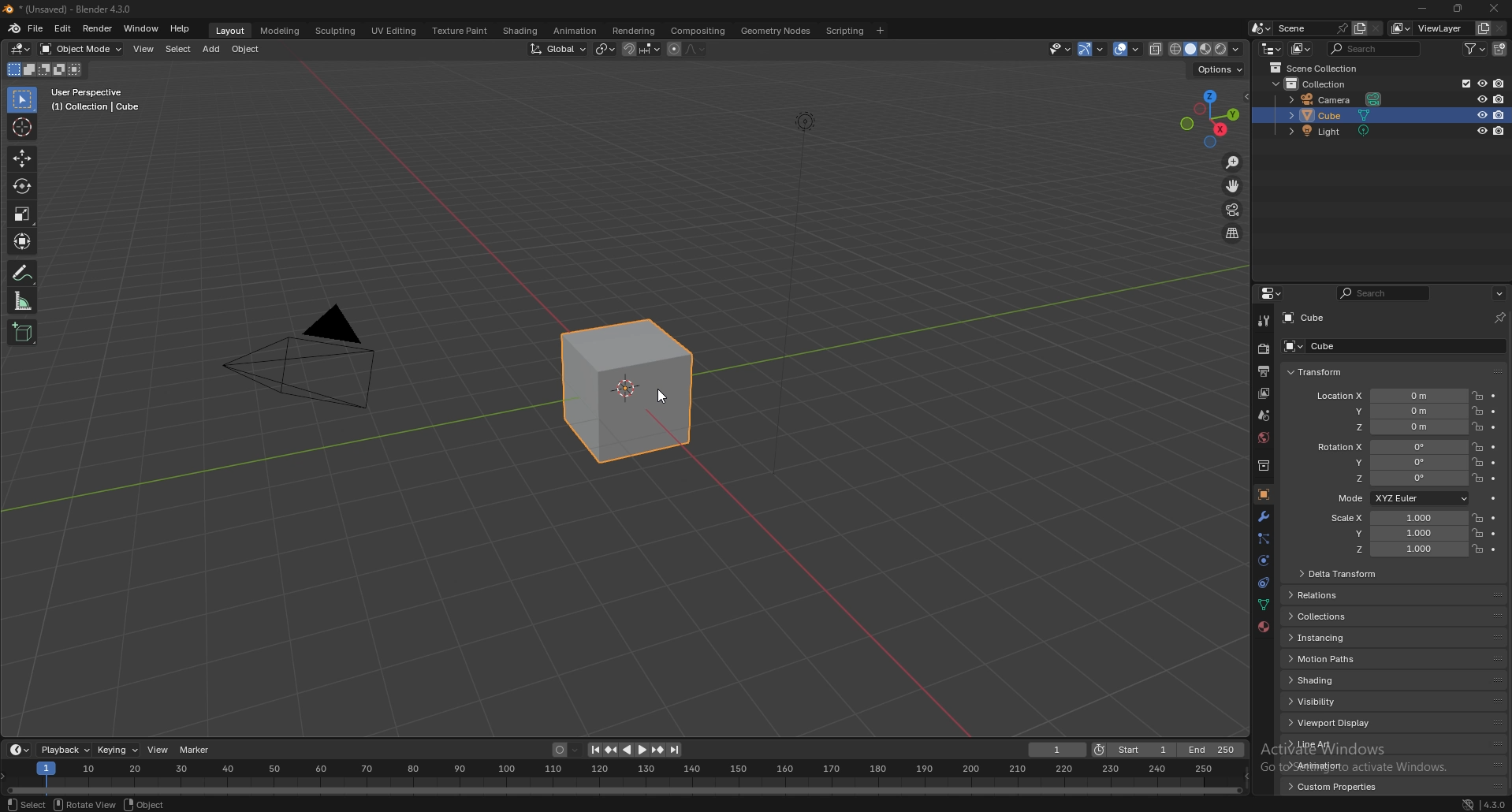 This screenshot has width=1512, height=812. I want to click on measure, so click(23, 300).